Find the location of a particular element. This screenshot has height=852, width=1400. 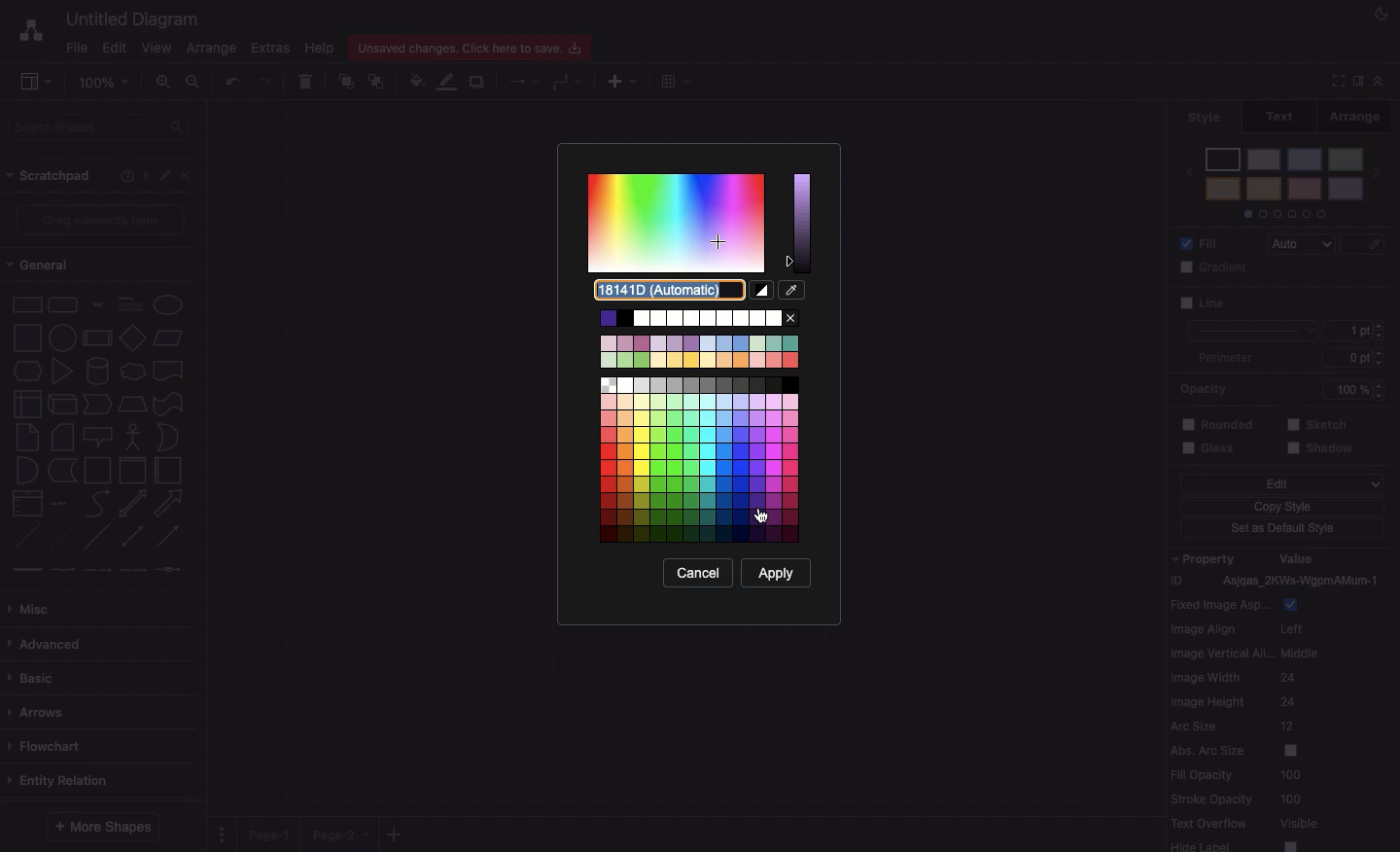

Flowchart is located at coordinates (48, 745).